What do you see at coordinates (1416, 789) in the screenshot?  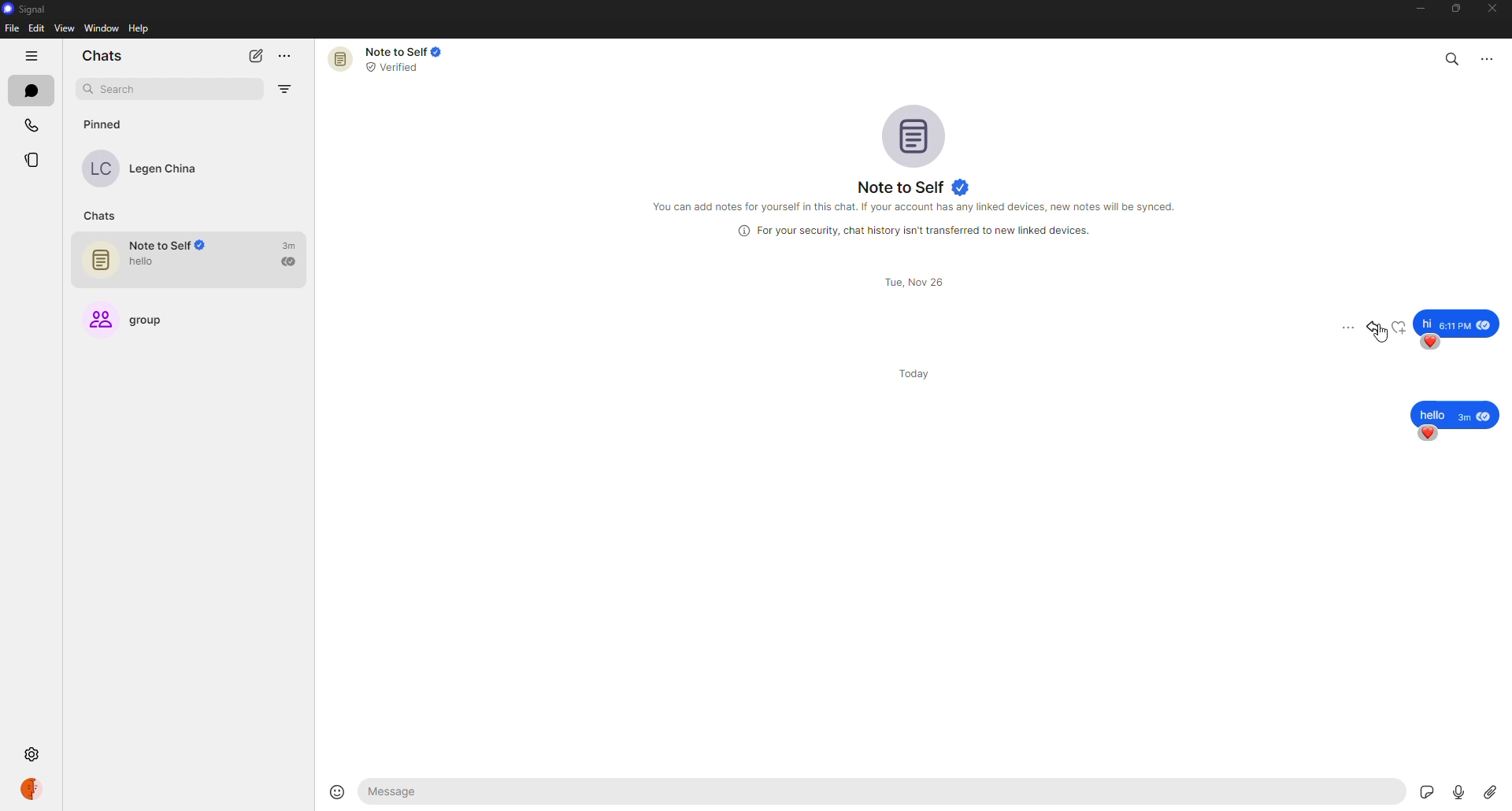 I see `stickers` at bounding box center [1416, 789].